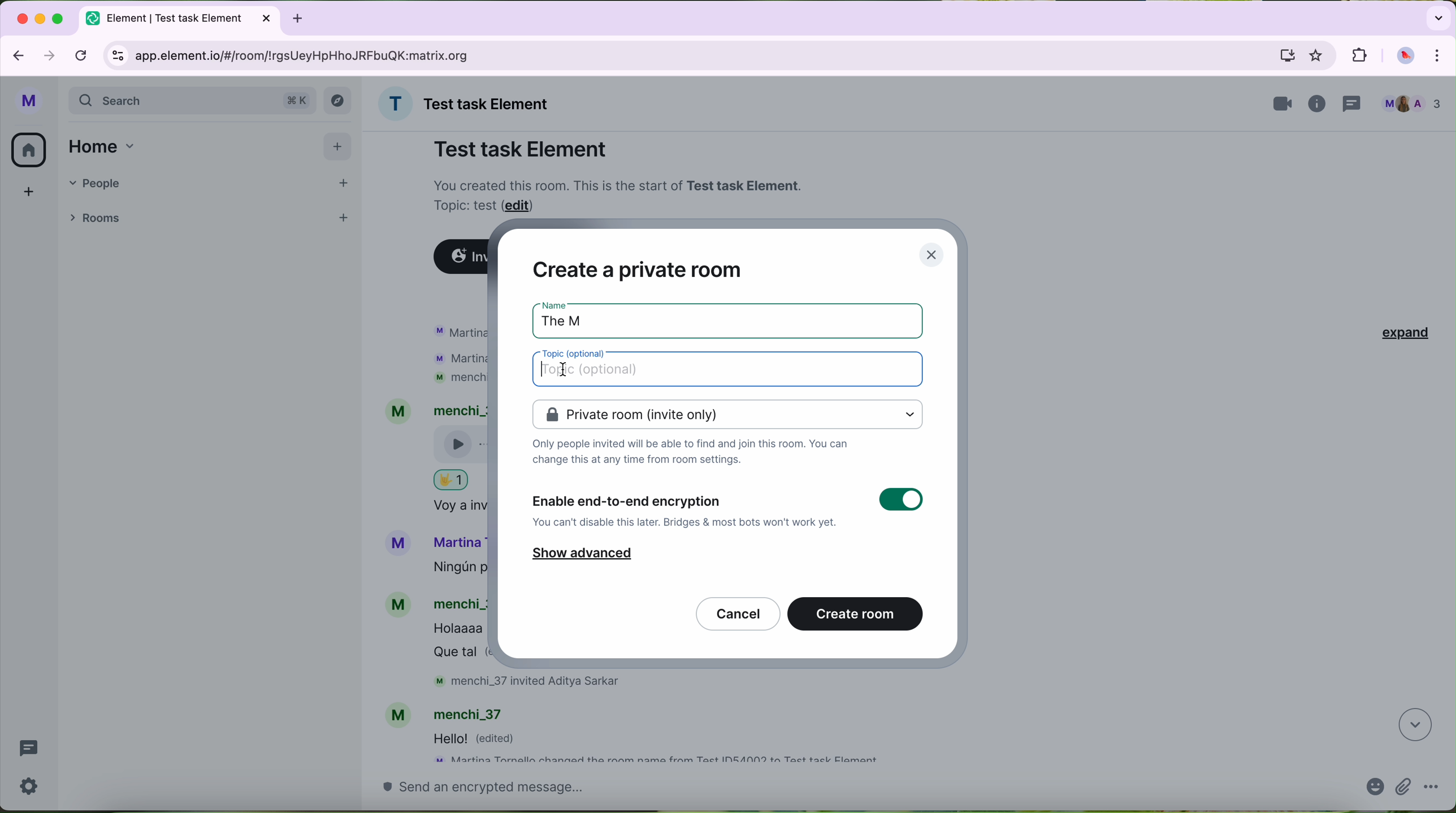 The image size is (1456, 813). I want to click on send a message, so click(852, 792).